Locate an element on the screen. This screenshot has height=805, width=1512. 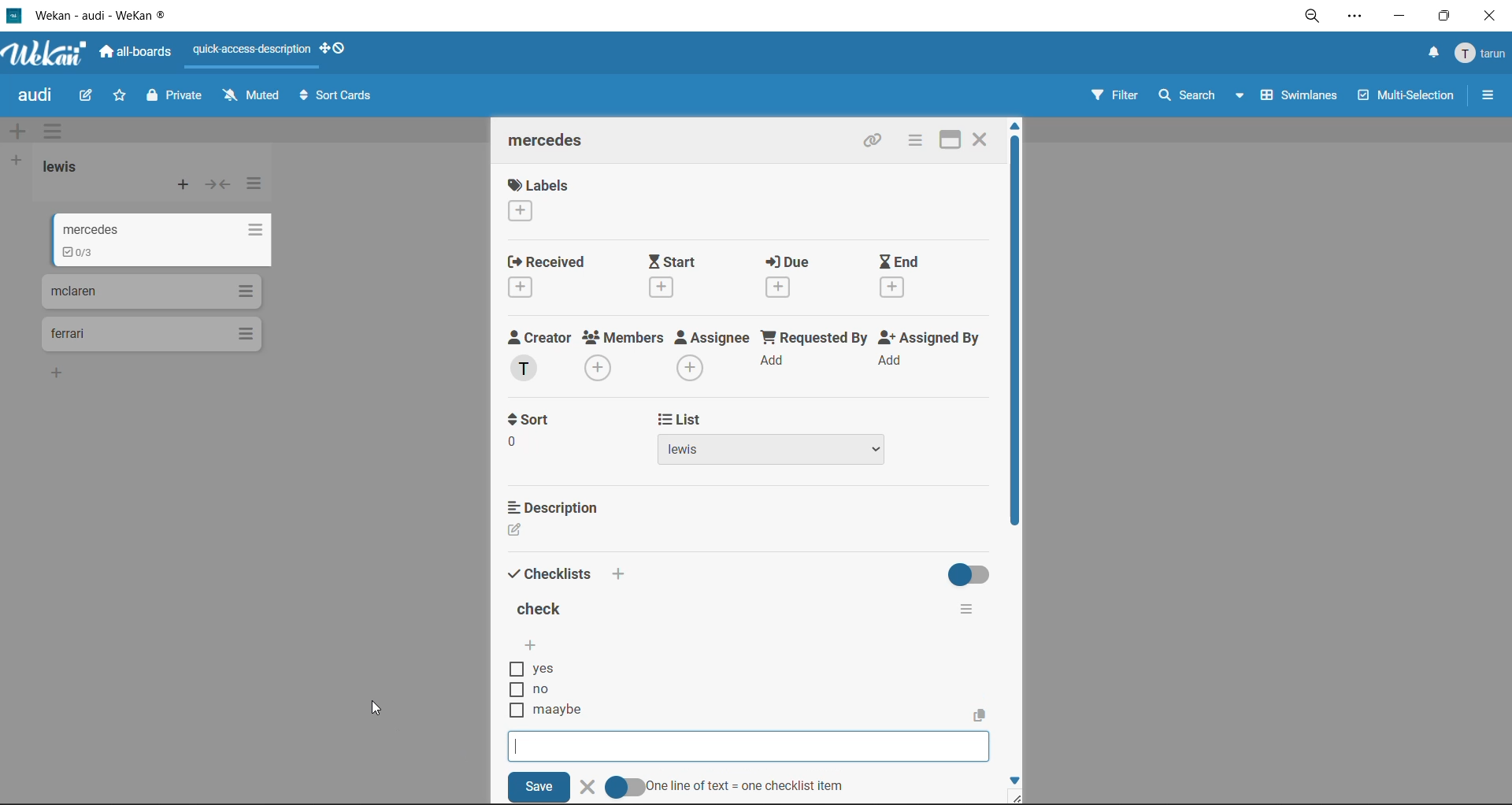
new checklist item added is located at coordinates (547, 710).